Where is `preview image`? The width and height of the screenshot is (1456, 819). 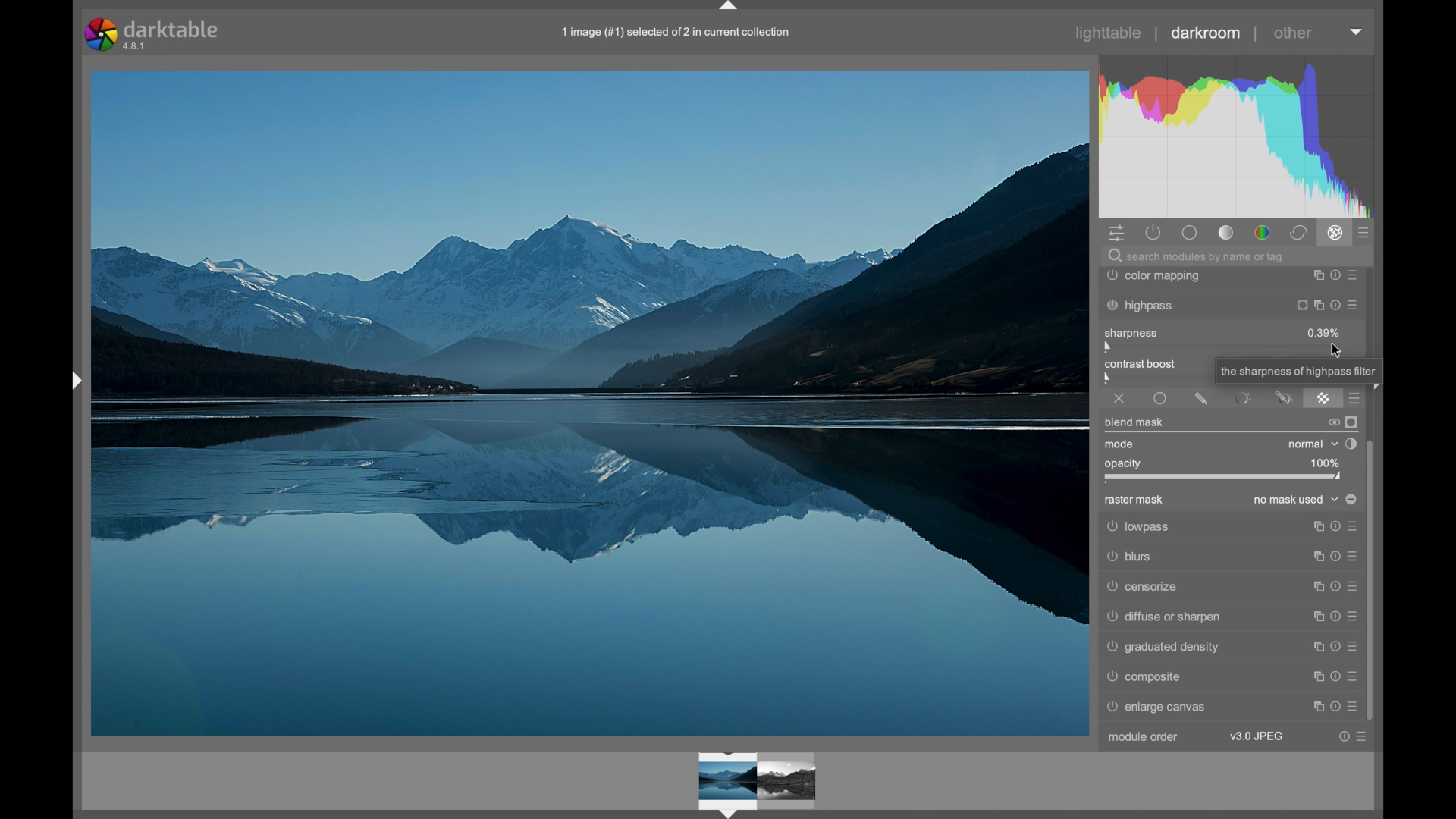
preview image is located at coordinates (763, 780).